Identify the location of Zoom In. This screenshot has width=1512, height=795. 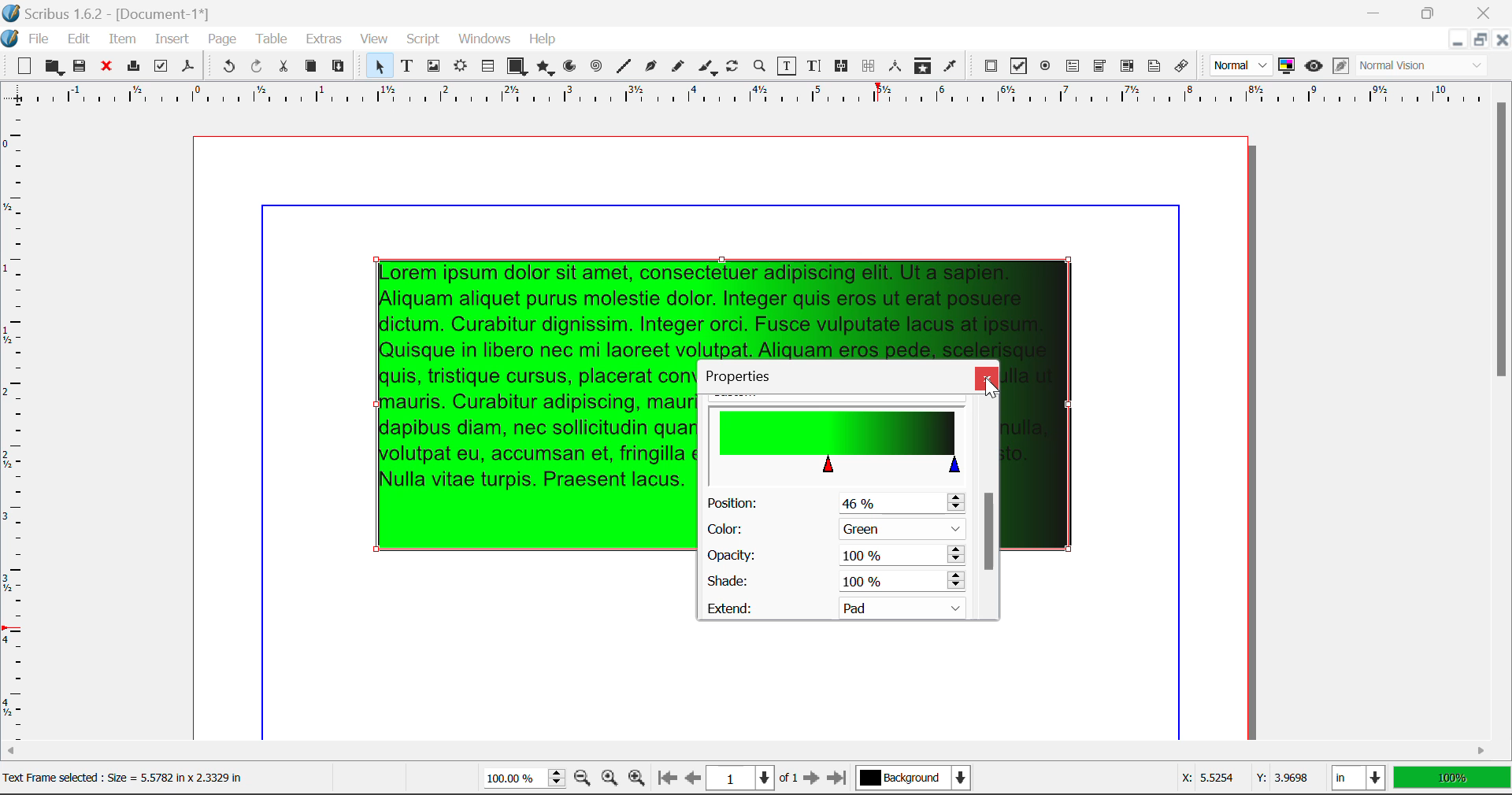
(637, 780).